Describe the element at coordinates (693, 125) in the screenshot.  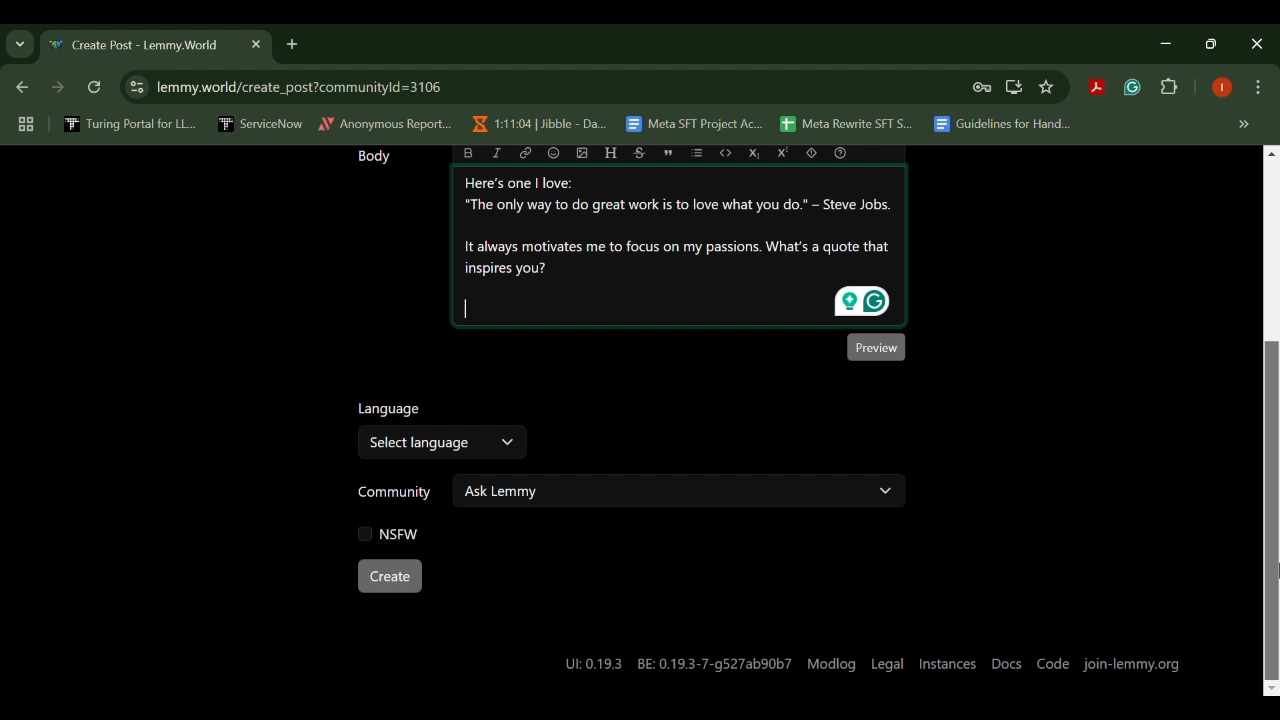
I see `Meta SFT Project Ac...` at that location.